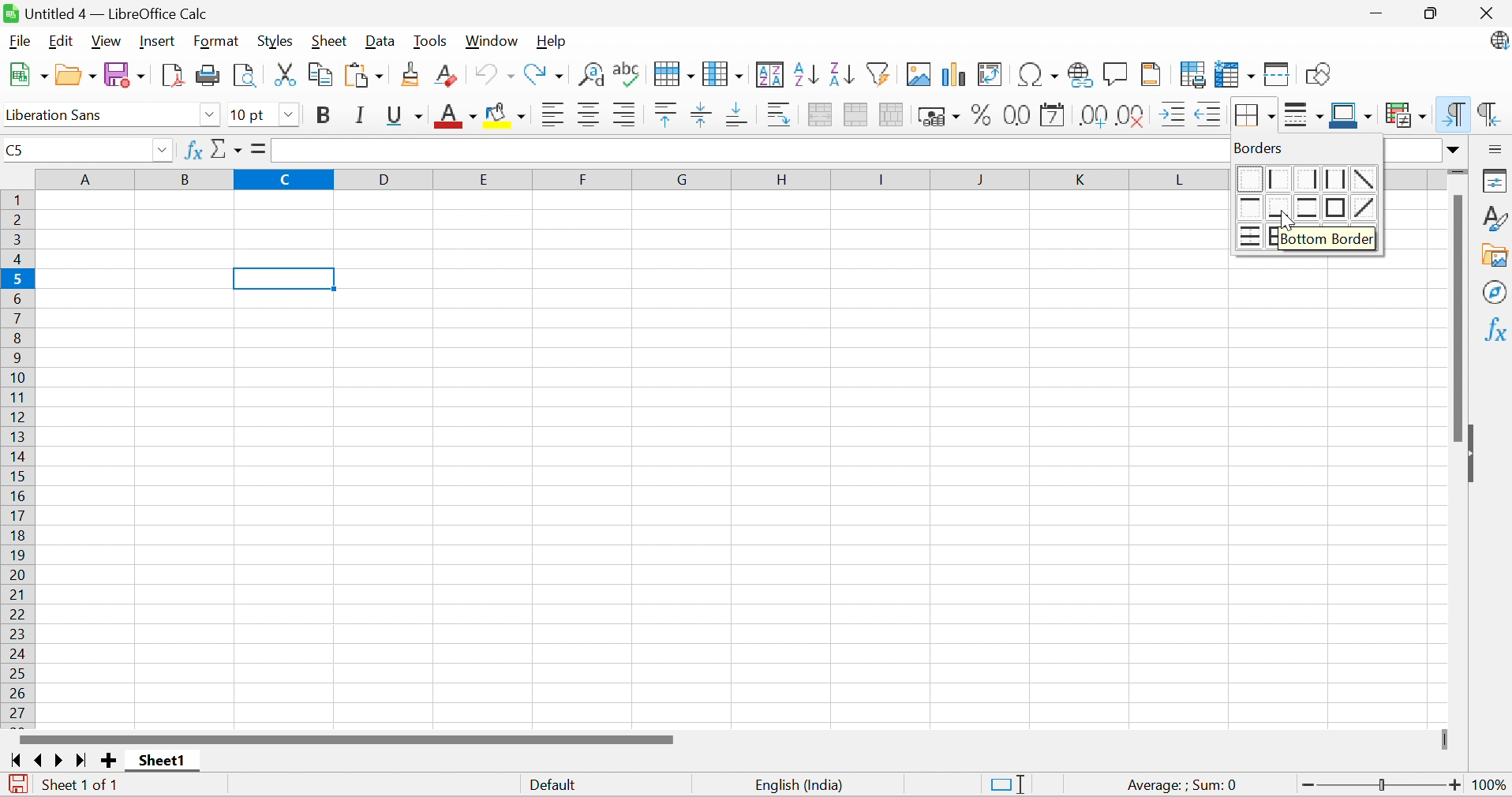 The image size is (1512, 797). What do you see at coordinates (1456, 784) in the screenshot?
I see `Zoom in` at bounding box center [1456, 784].